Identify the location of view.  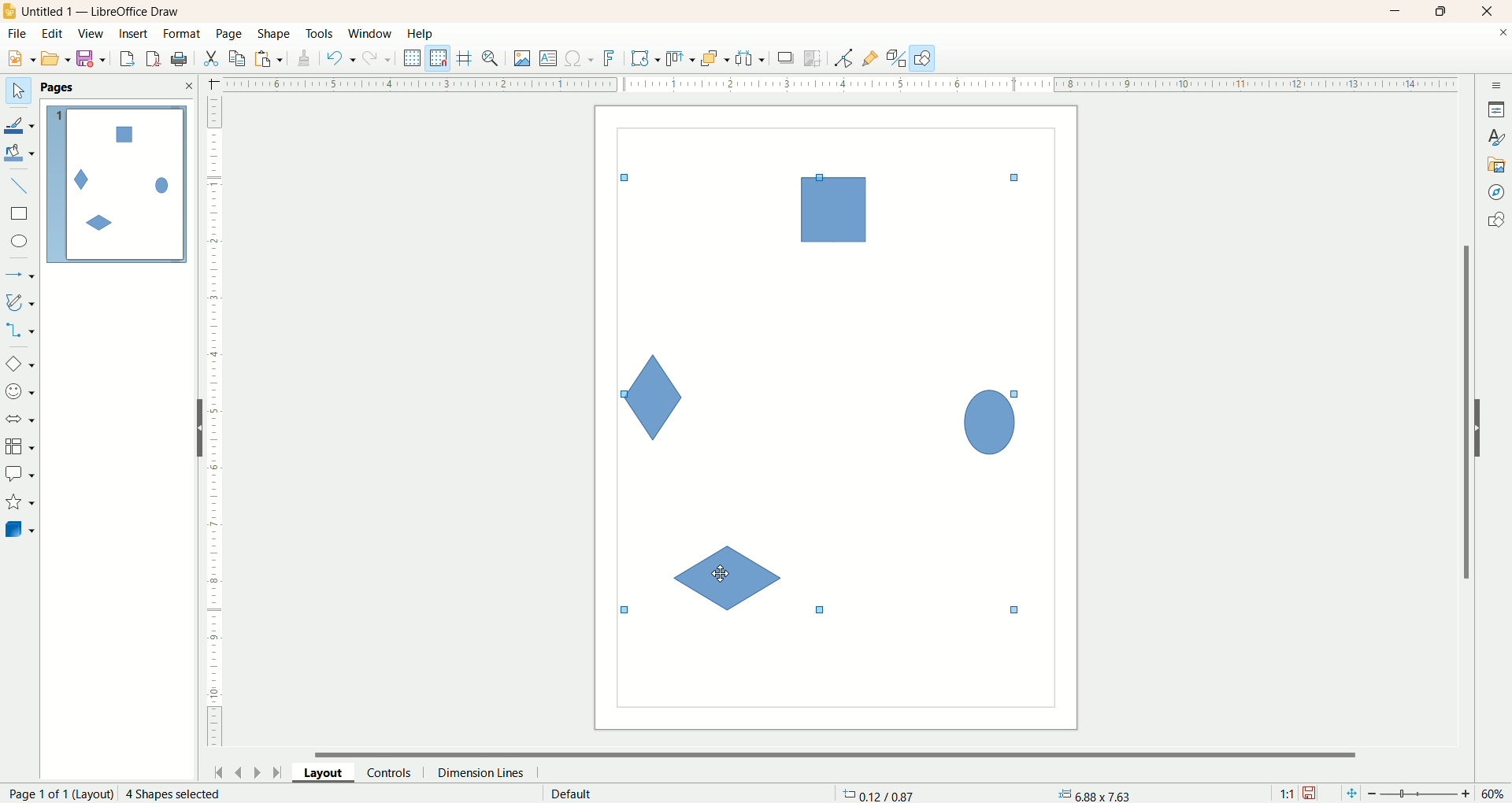
(92, 34).